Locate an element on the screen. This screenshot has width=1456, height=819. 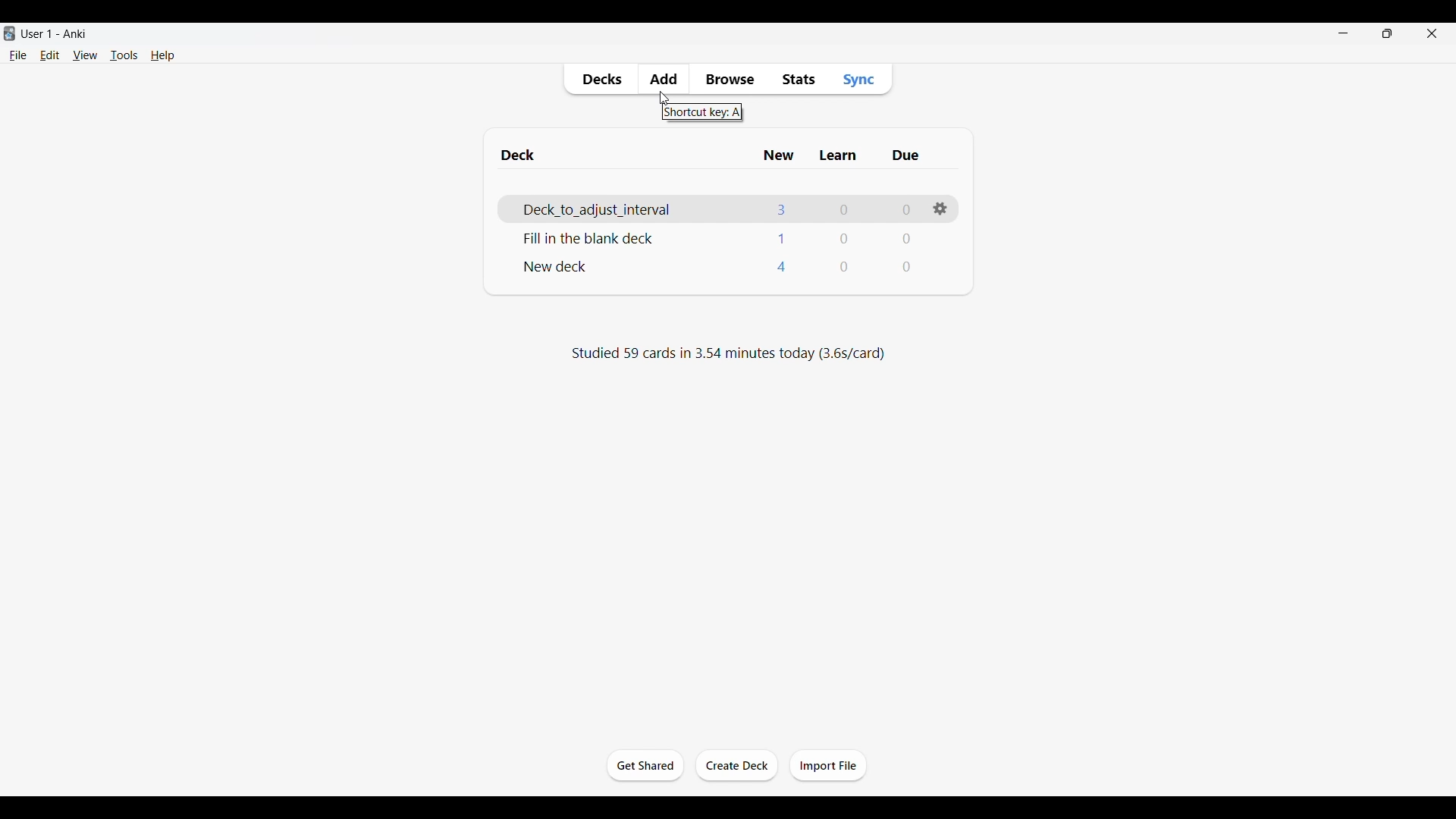
Decks is located at coordinates (601, 80).